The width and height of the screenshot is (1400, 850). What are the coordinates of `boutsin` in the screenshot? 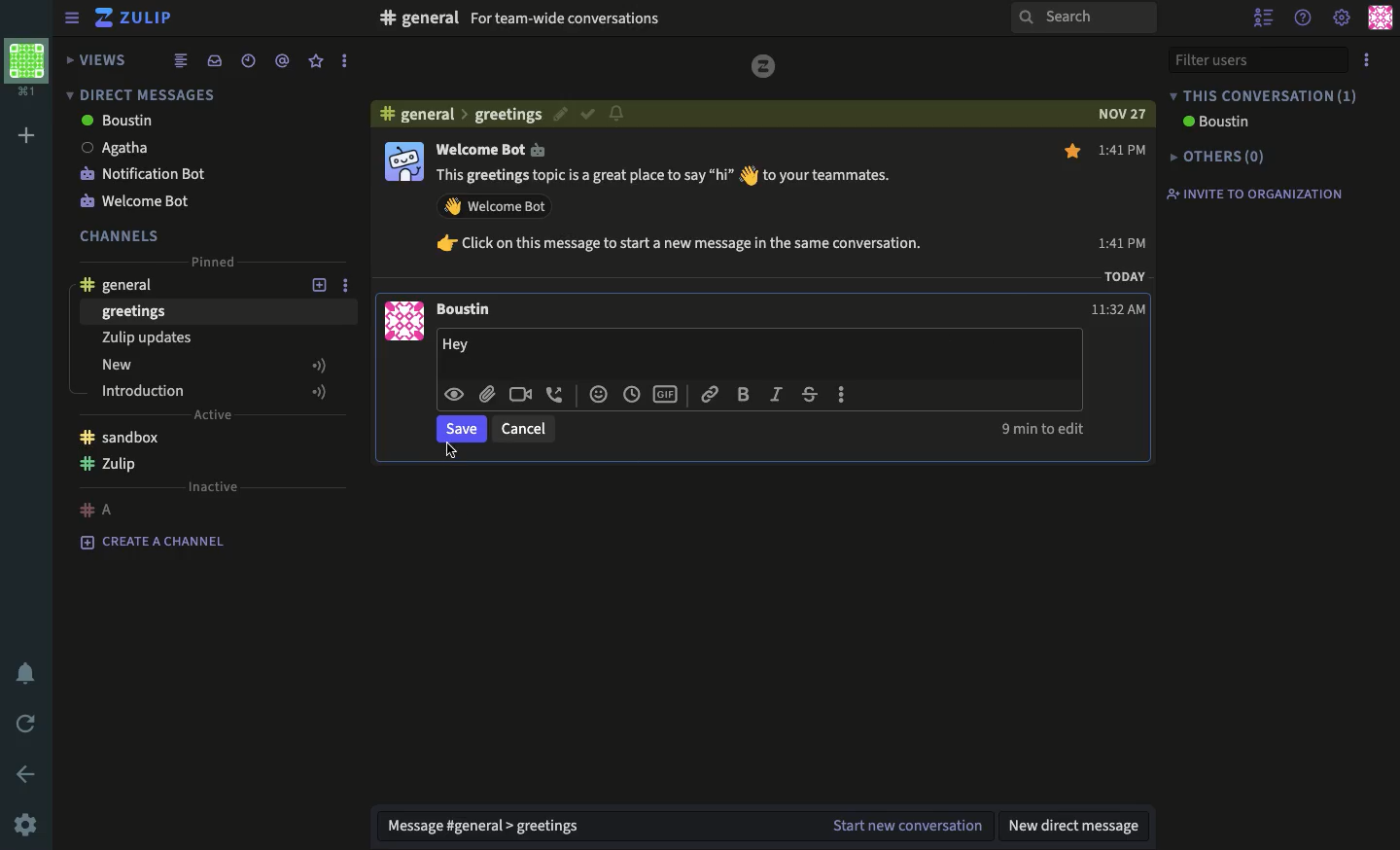 It's located at (120, 121).